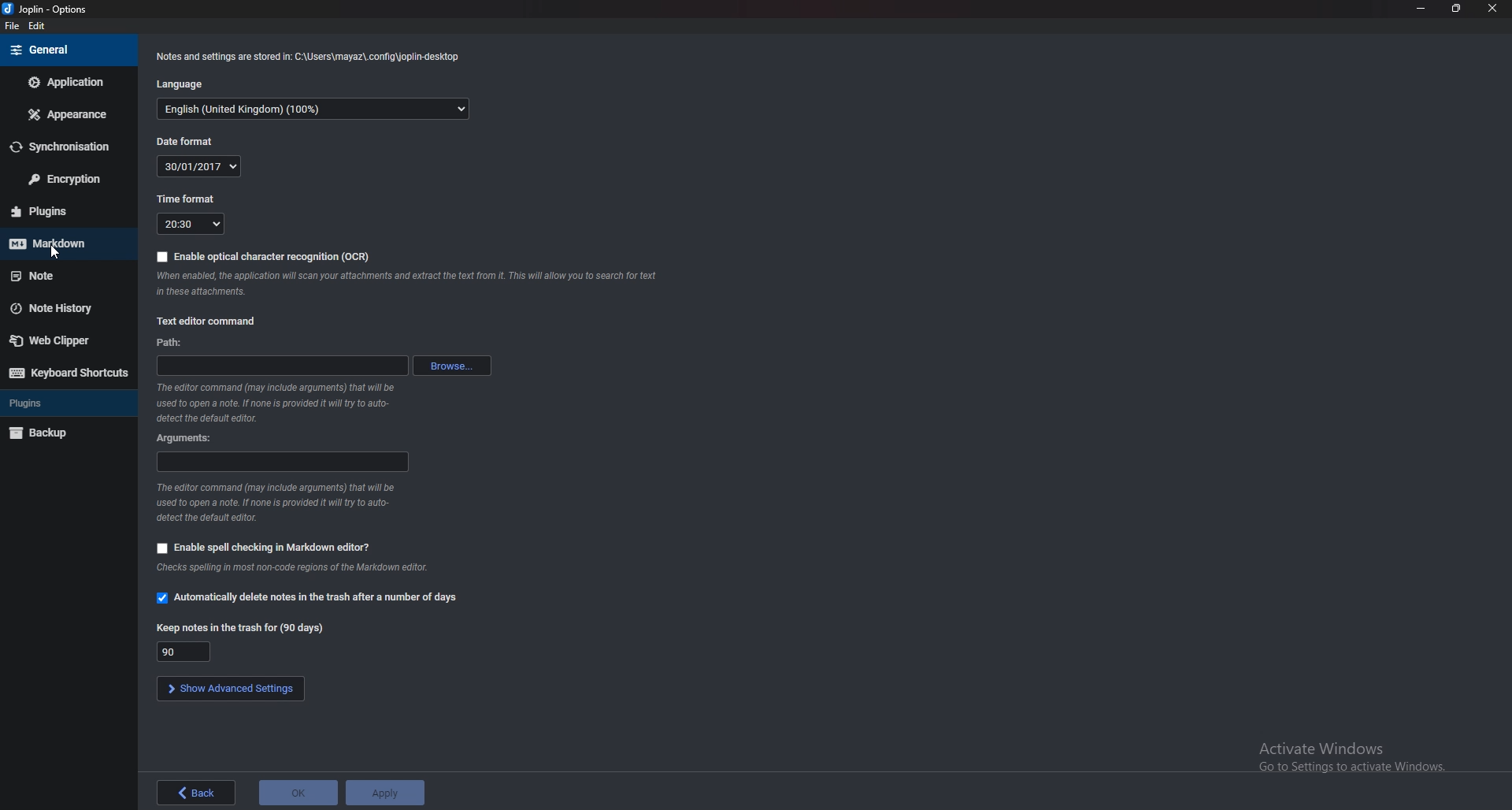  Describe the element at coordinates (259, 256) in the screenshot. I see `Enable ocr` at that location.